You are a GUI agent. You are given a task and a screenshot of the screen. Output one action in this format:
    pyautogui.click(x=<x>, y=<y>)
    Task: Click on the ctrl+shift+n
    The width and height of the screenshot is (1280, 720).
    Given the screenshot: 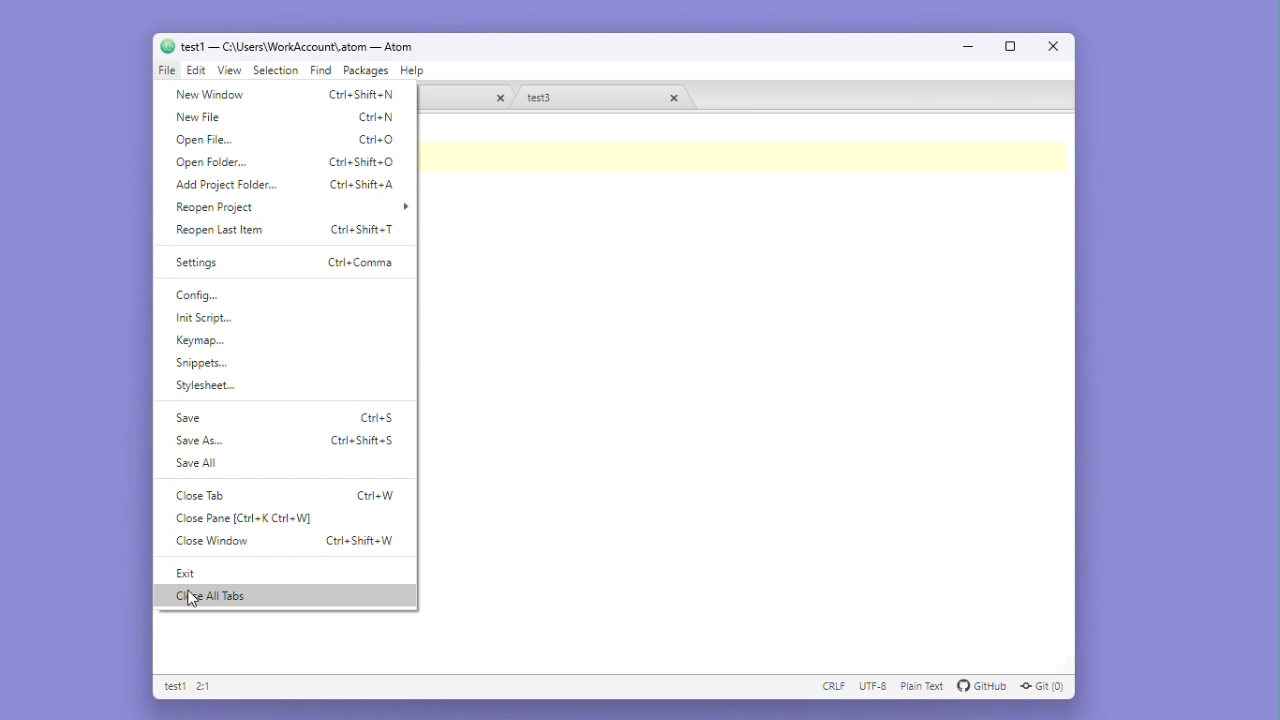 What is the action you would take?
    pyautogui.click(x=366, y=94)
    